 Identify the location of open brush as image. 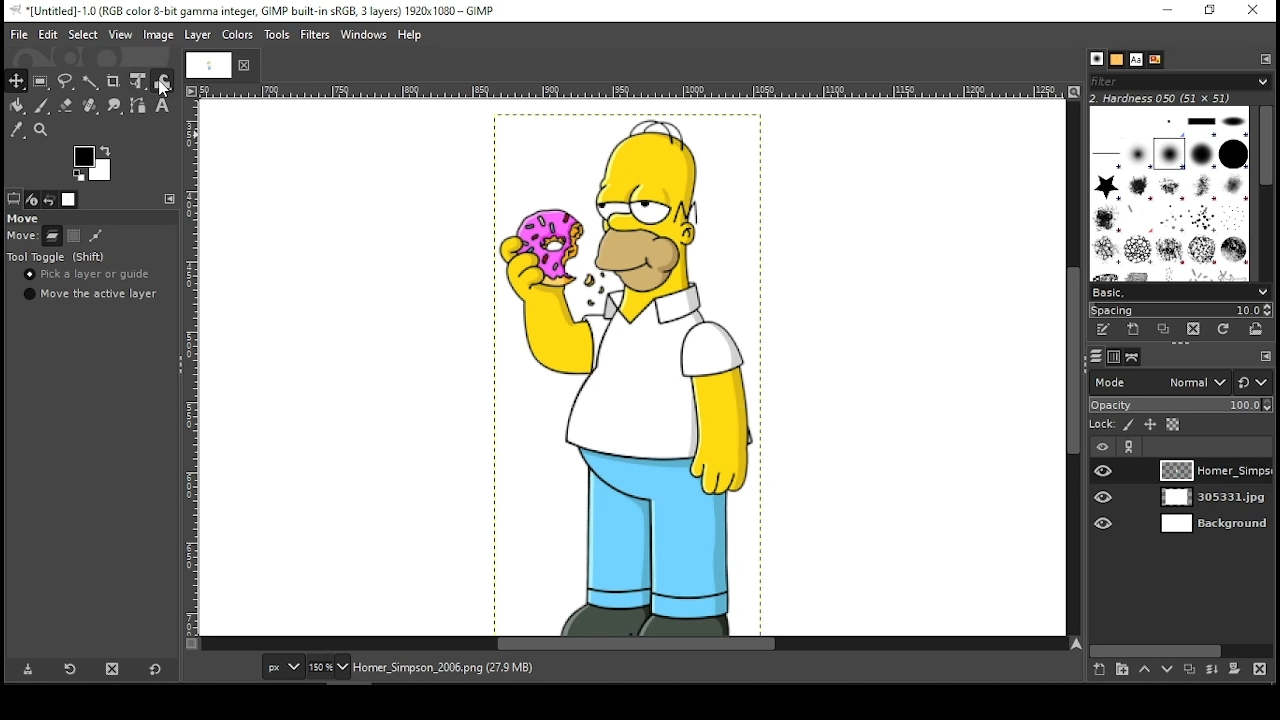
(1259, 329).